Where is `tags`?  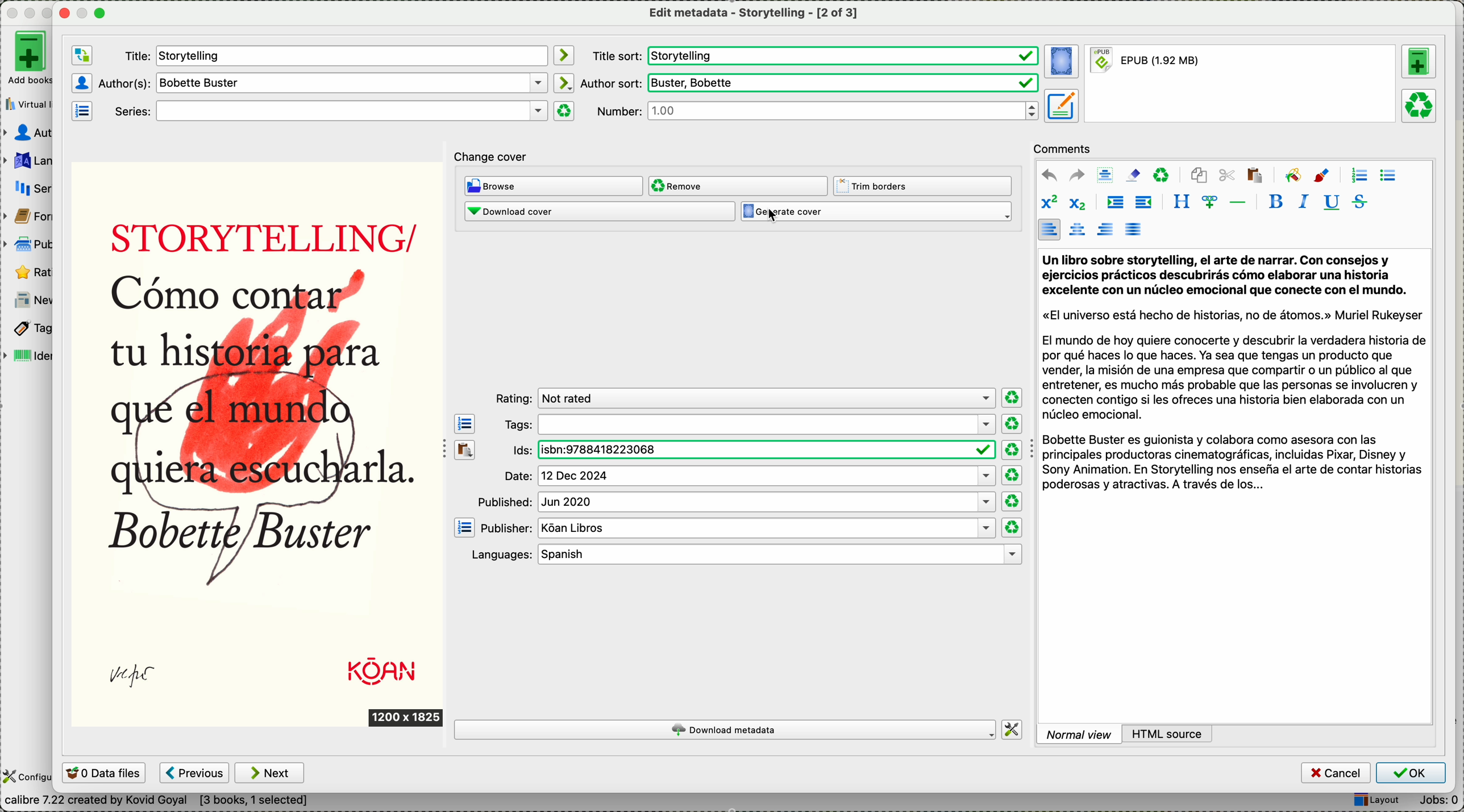
tags is located at coordinates (750, 424).